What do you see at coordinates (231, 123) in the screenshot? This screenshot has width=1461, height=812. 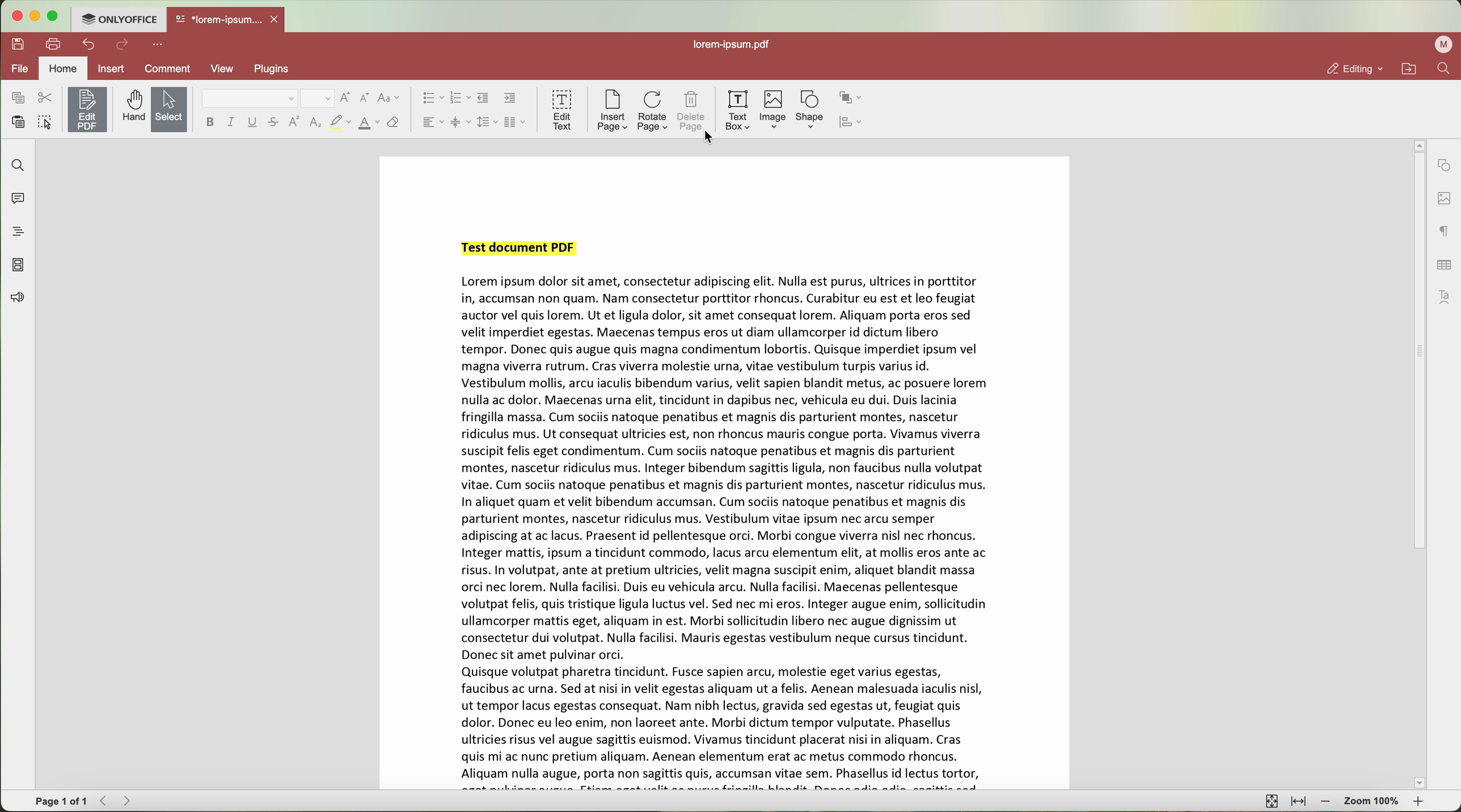 I see `italic` at bounding box center [231, 123].